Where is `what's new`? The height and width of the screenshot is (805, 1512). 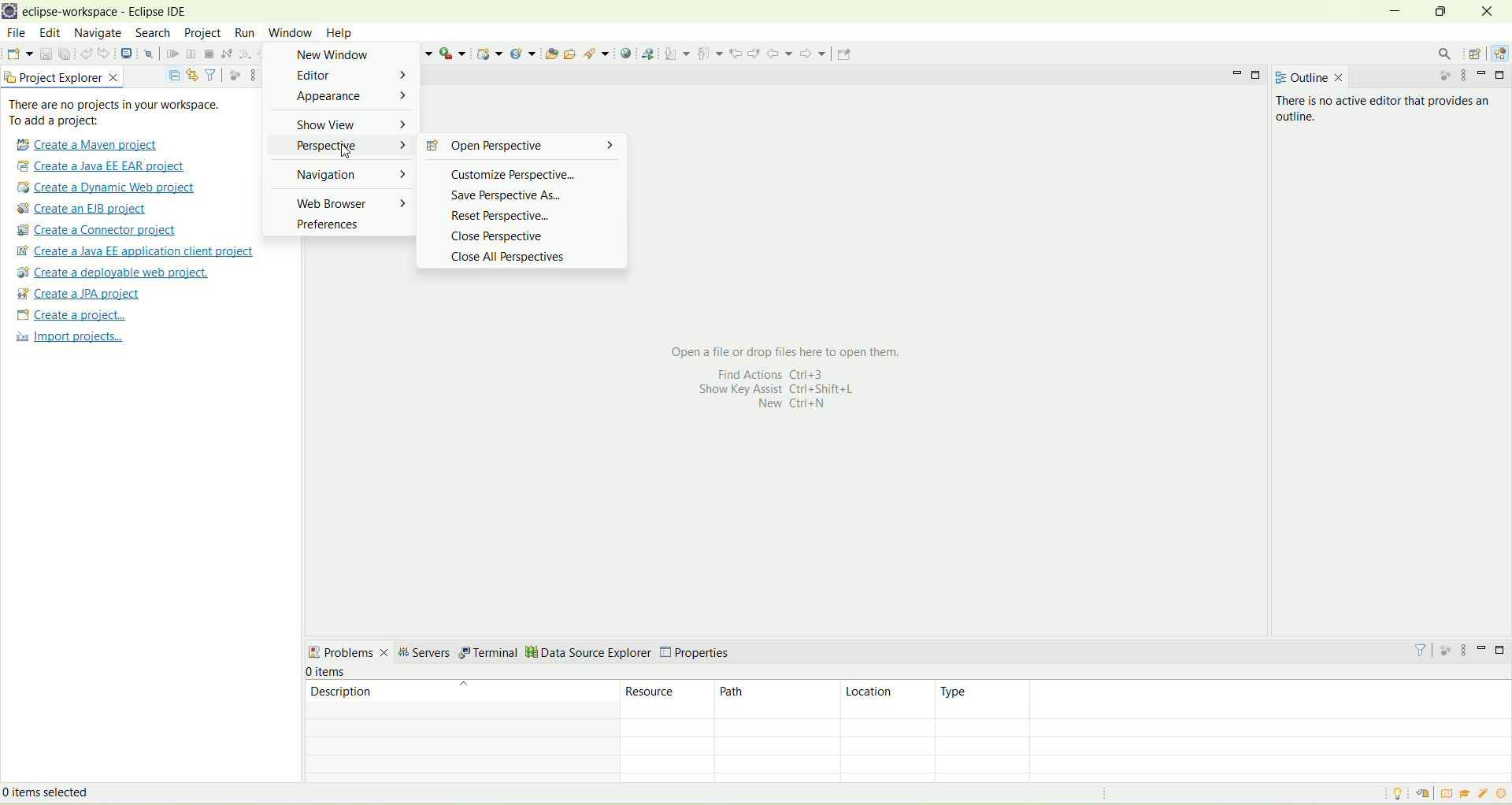 what's new is located at coordinates (1503, 794).